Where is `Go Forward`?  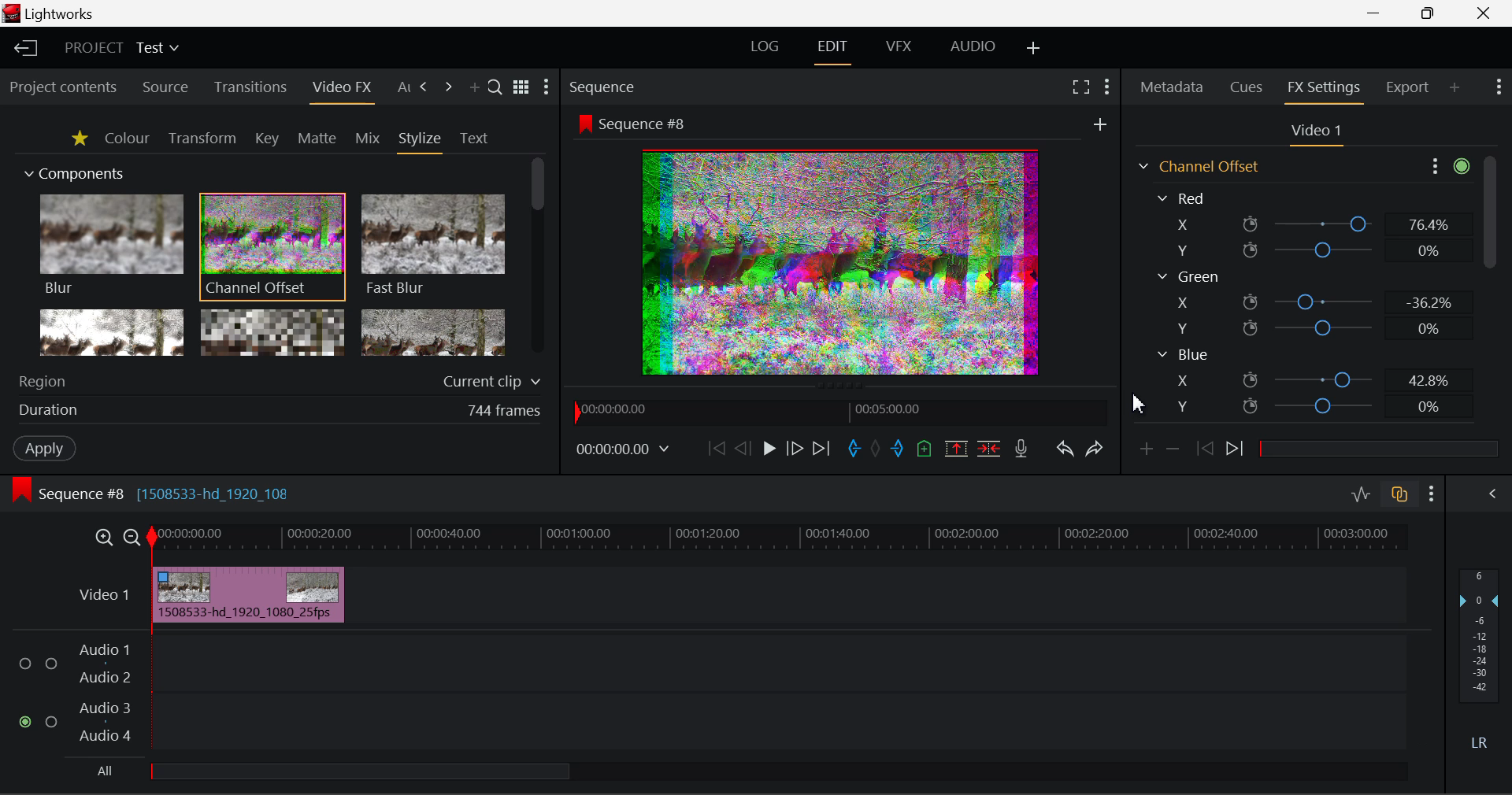
Go Forward is located at coordinates (795, 450).